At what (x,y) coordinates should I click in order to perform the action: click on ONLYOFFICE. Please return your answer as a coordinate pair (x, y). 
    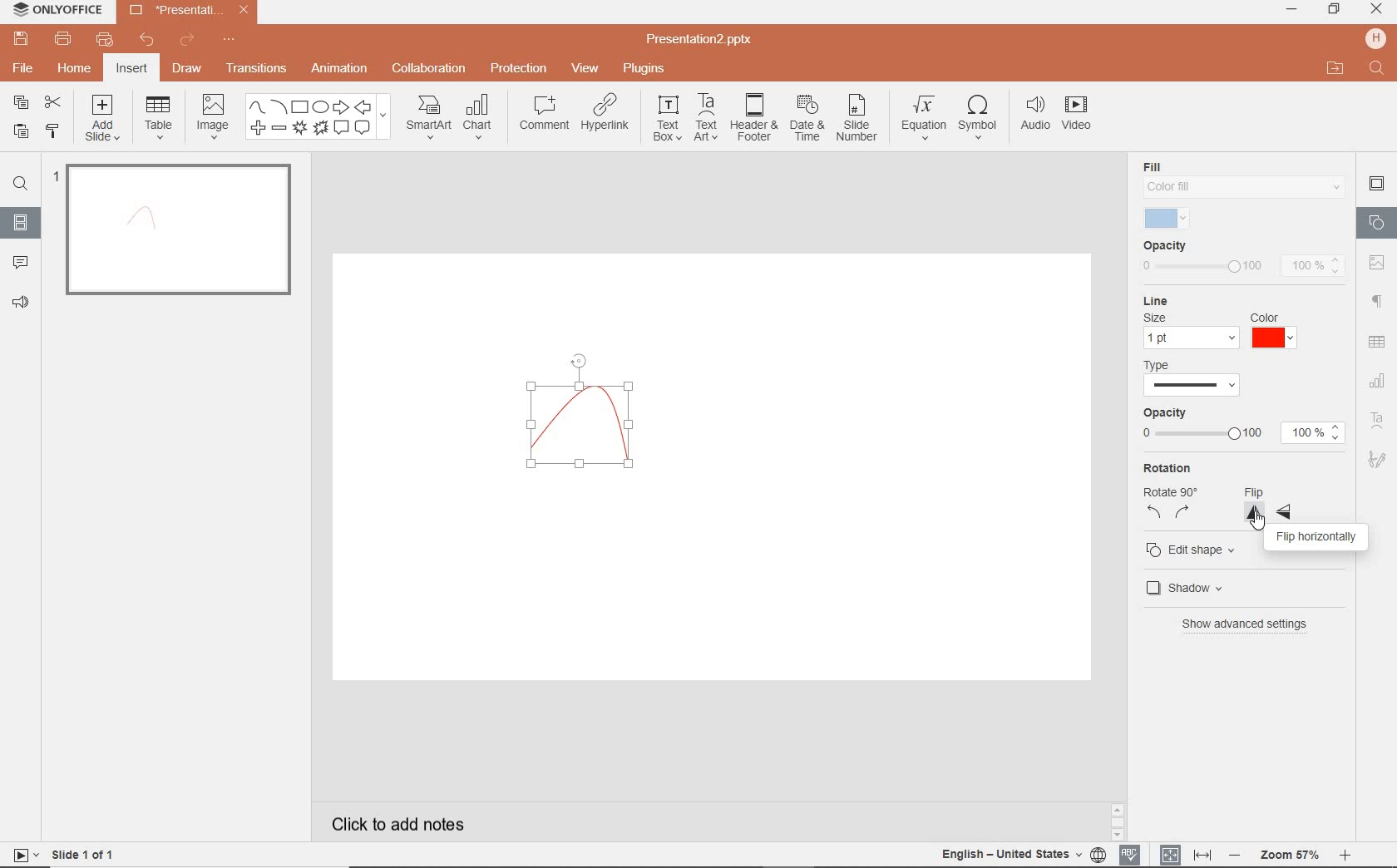
    Looking at the image, I should click on (58, 11).